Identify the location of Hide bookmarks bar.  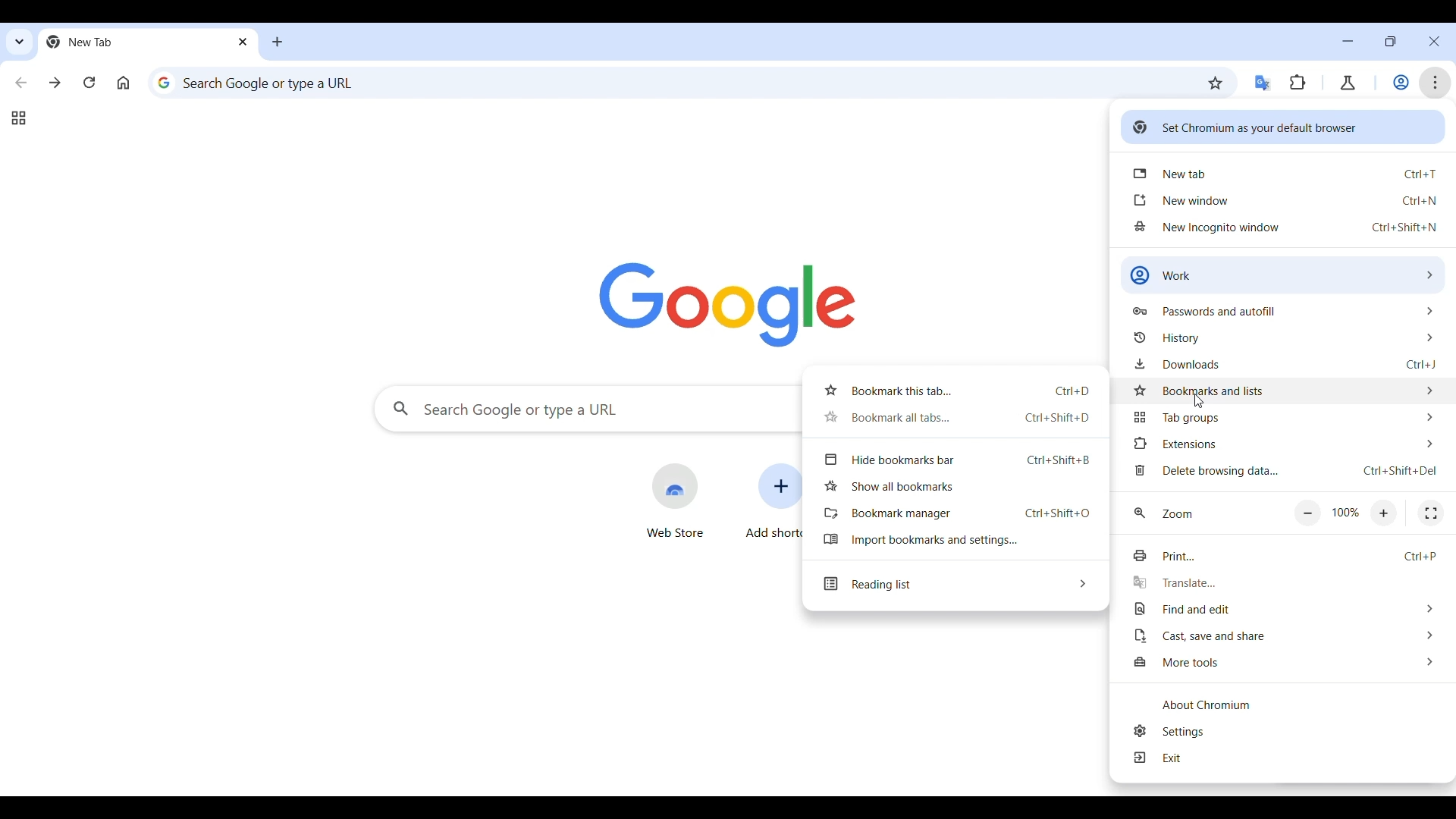
(955, 460).